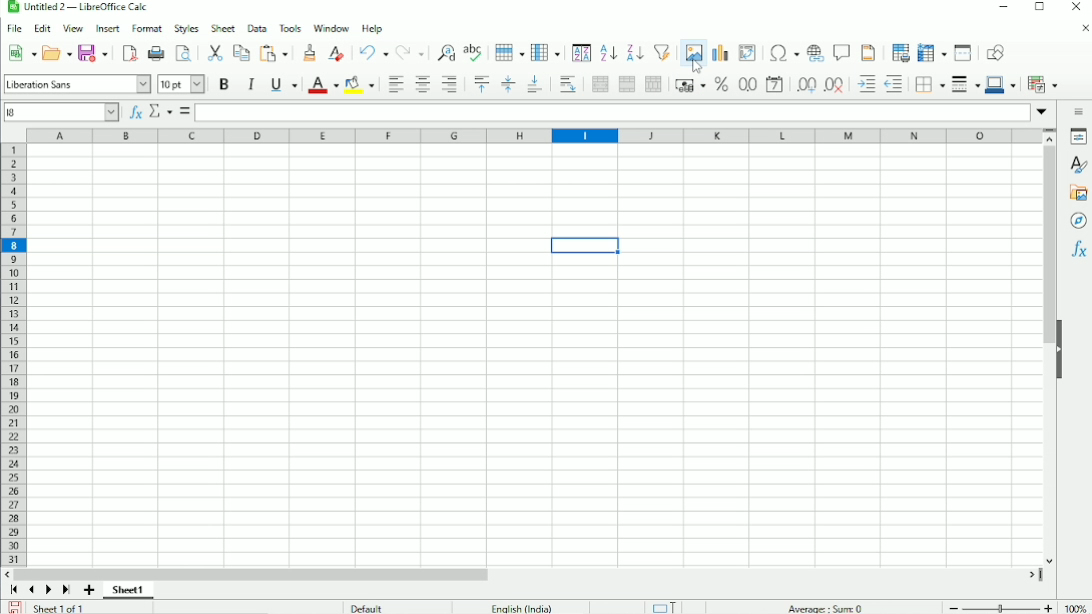  I want to click on Row headings, so click(15, 356).